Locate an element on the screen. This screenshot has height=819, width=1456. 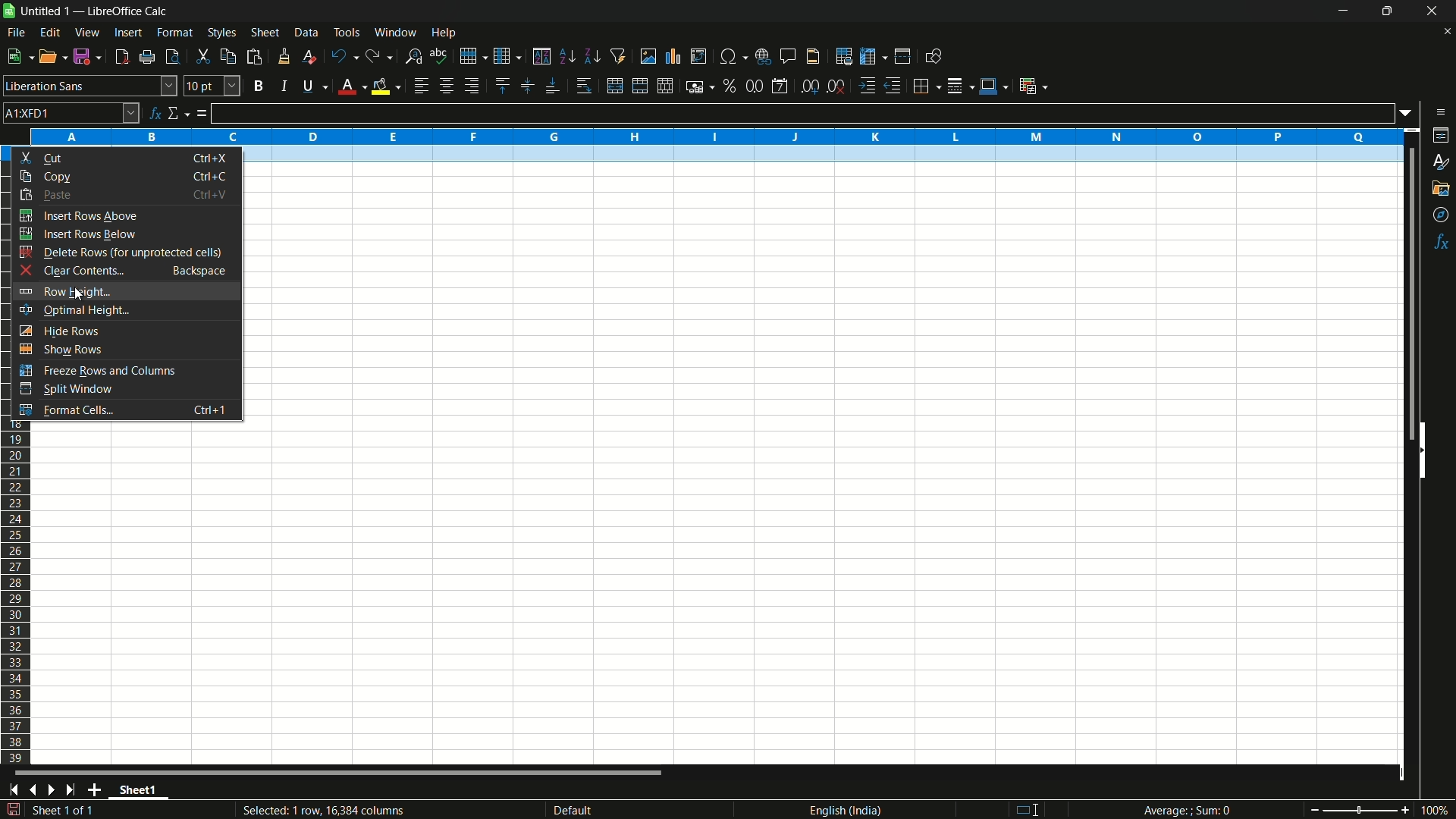
new file is located at coordinates (18, 56).